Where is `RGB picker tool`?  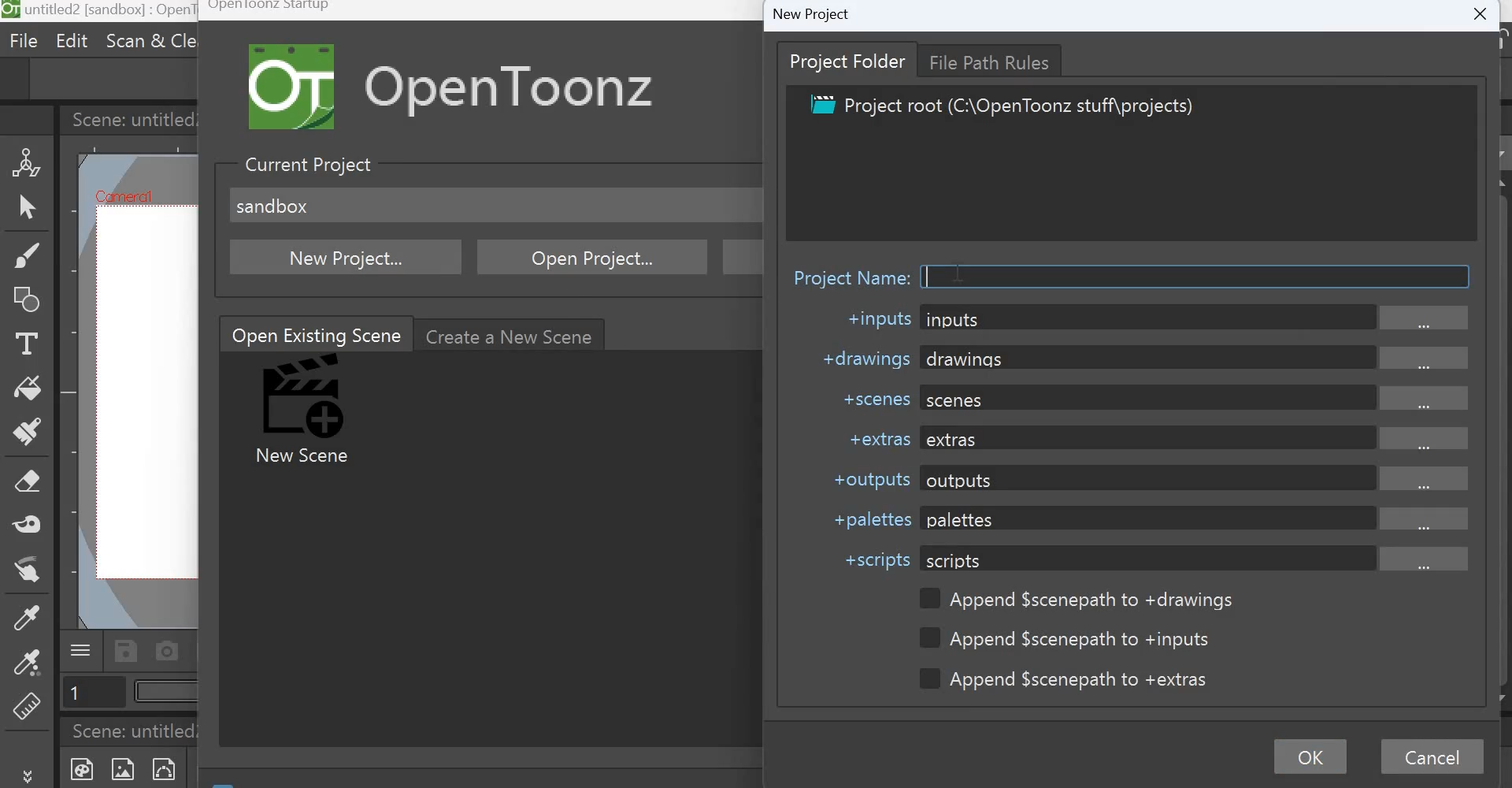
RGB picker tool is located at coordinates (26, 667).